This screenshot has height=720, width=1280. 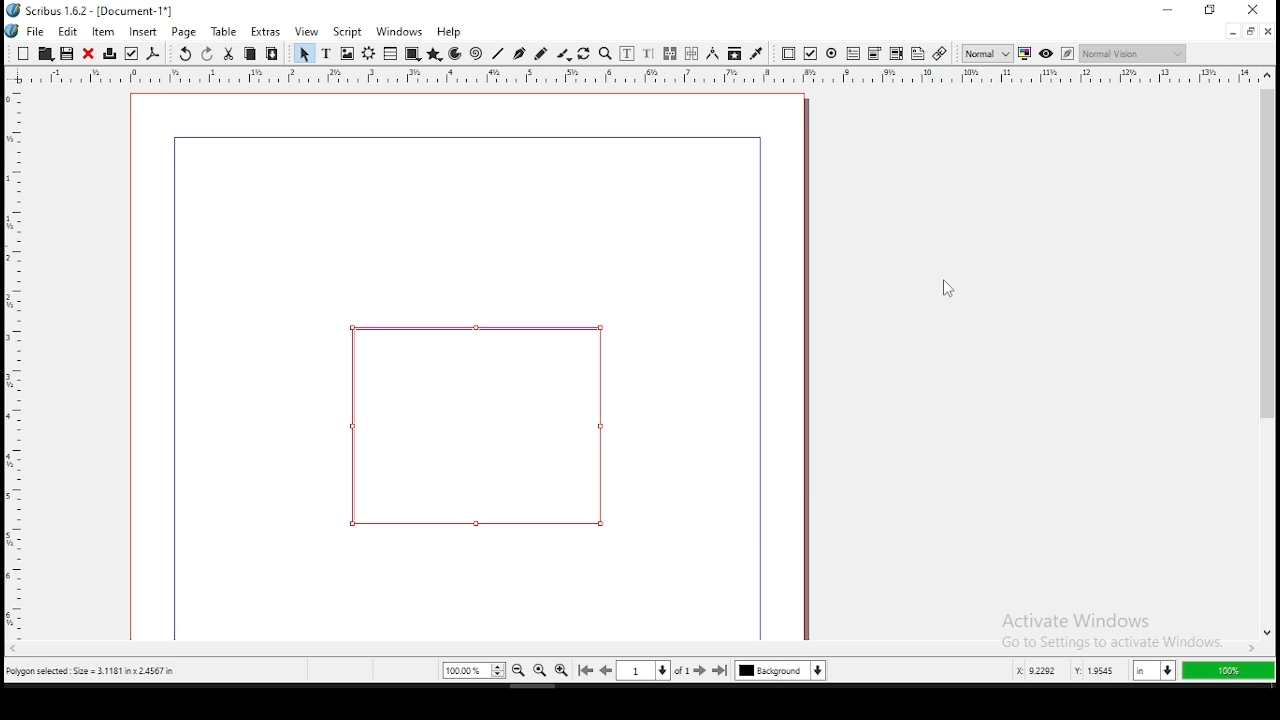 I want to click on restore, so click(x=1250, y=33).